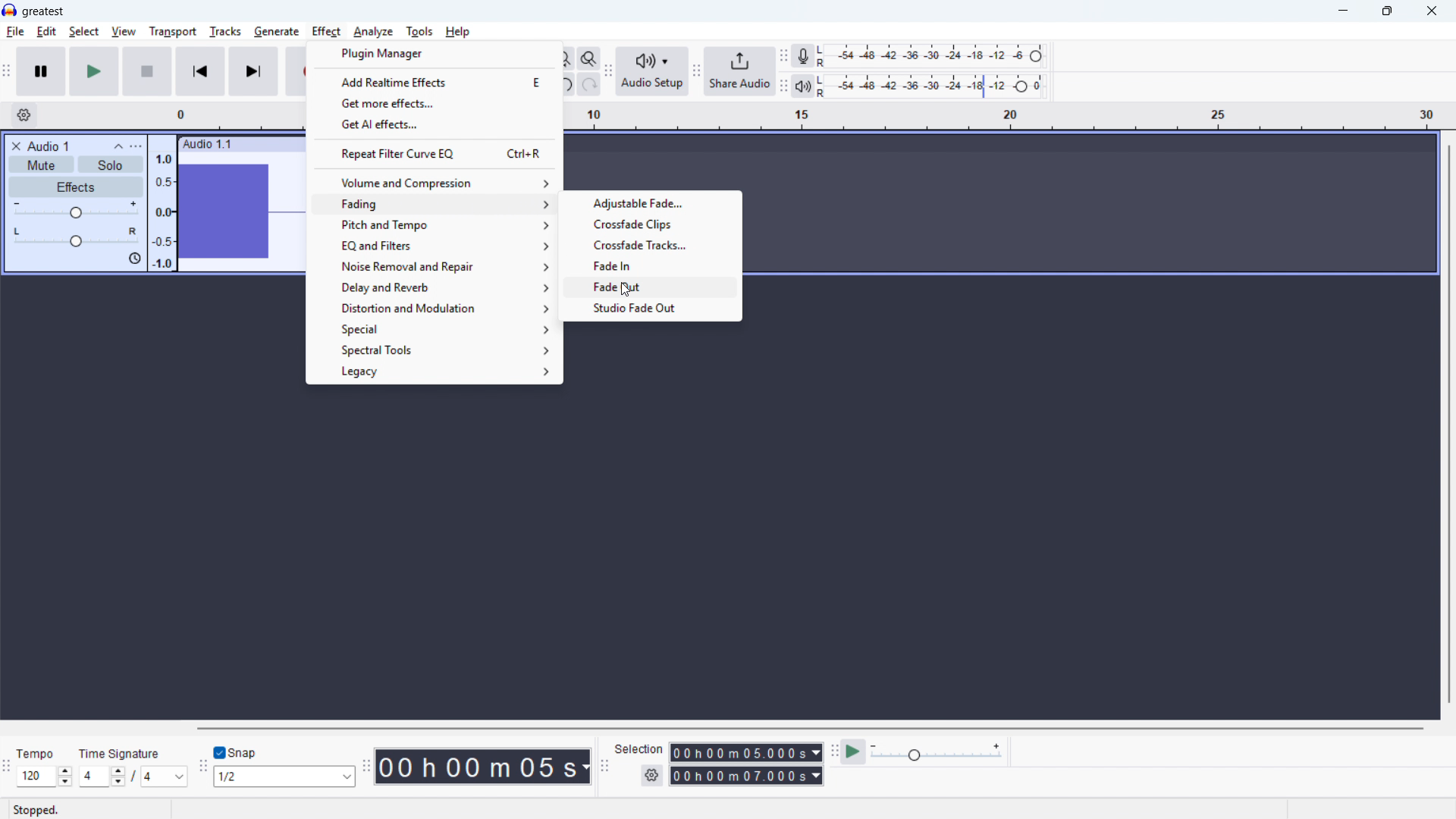  I want to click on Recording level , so click(935, 56).